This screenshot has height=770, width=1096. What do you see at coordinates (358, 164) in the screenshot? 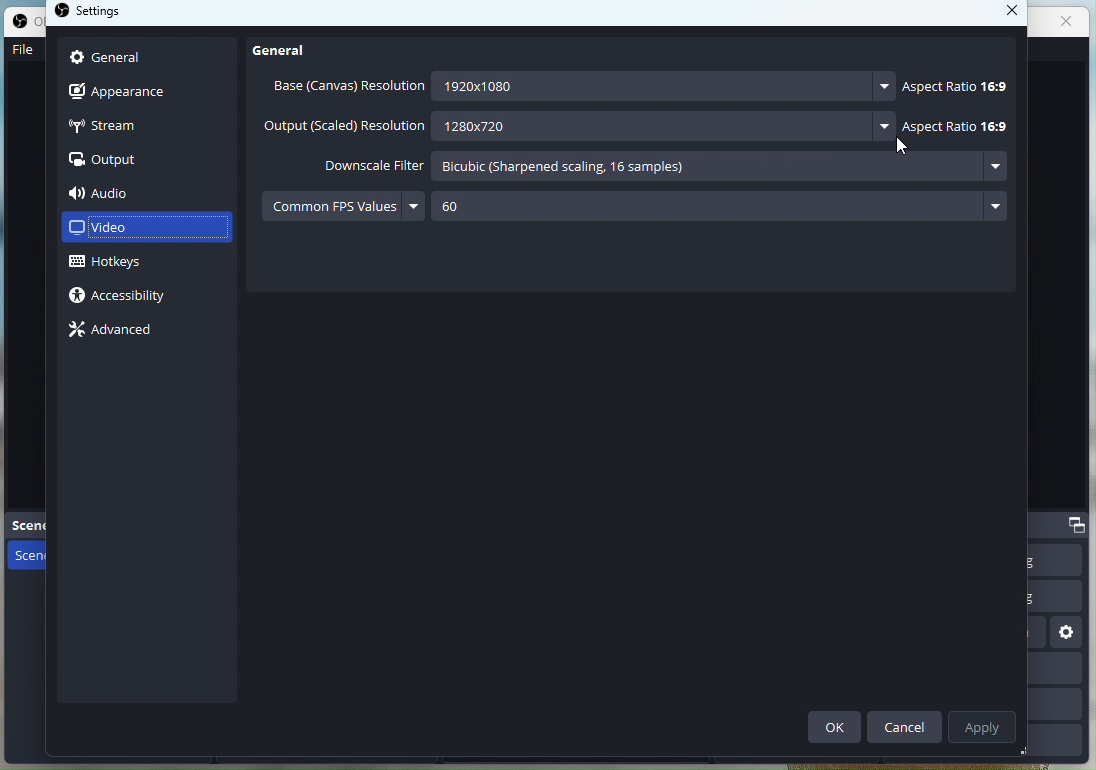
I see `Downscale Filter` at bounding box center [358, 164].